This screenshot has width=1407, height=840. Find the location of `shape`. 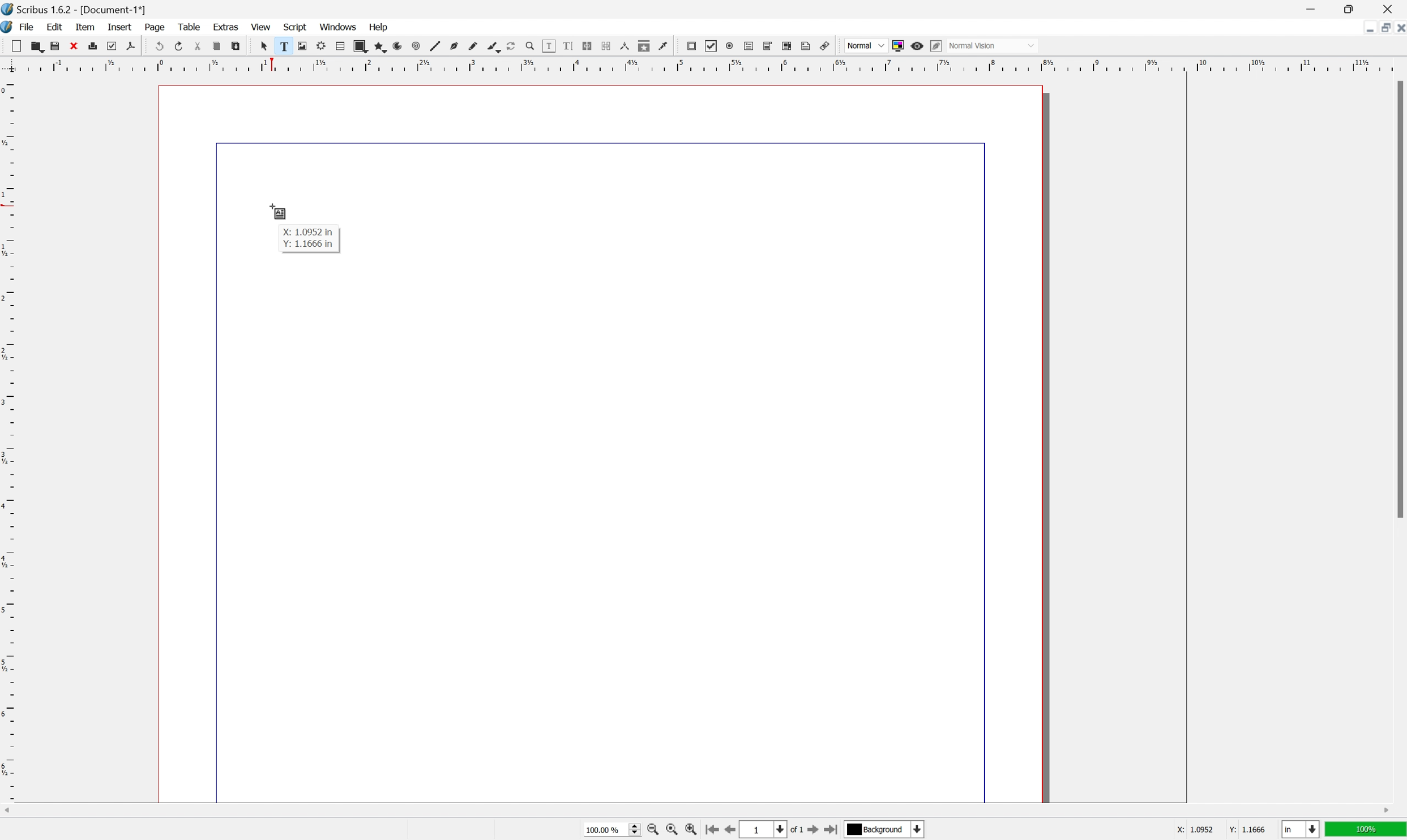

shape is located at coordinates (360, 46).